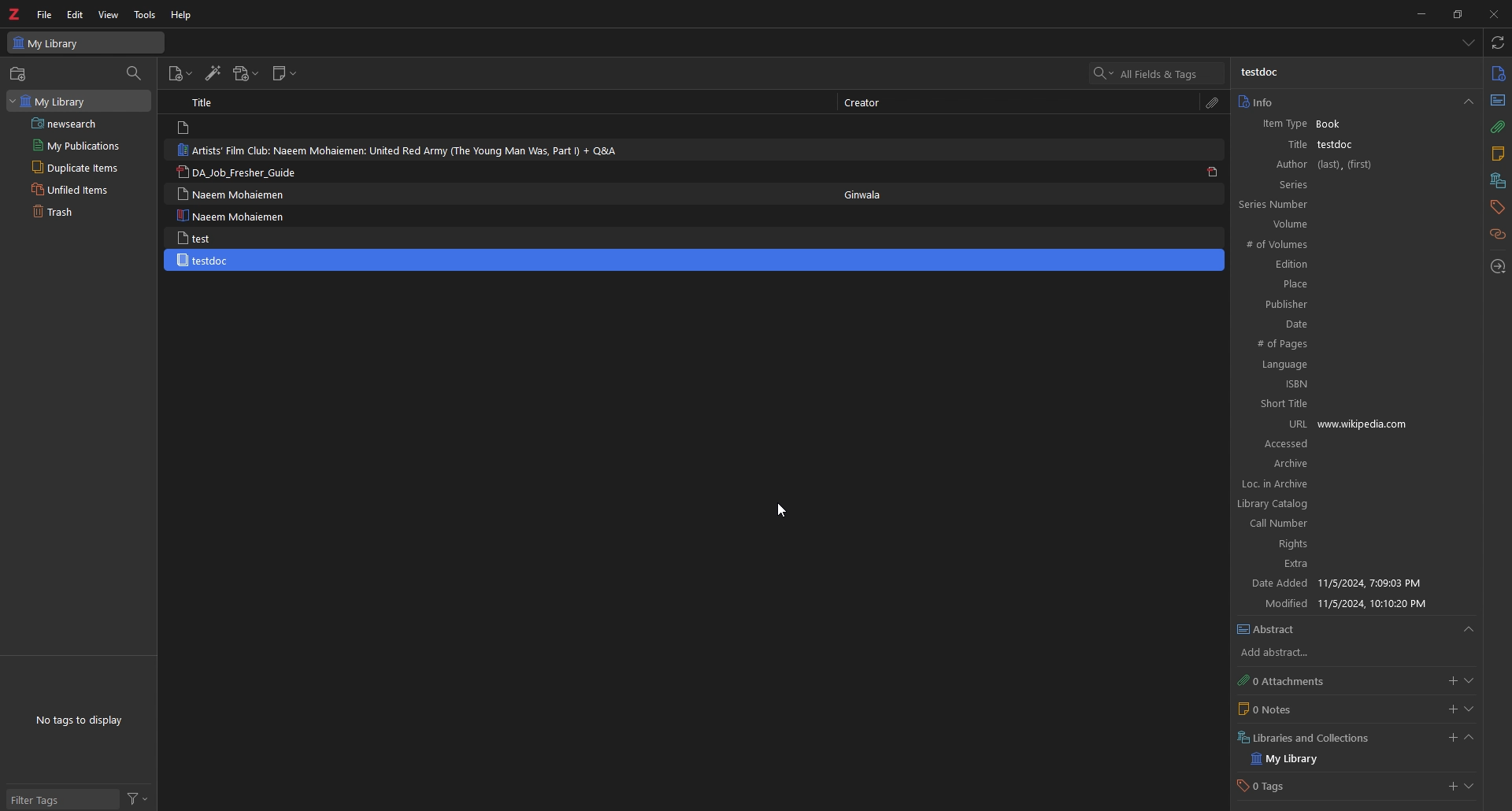  What do you see at coordinates (1470, 738) in the screenshot?
I see `collapse` at bounding box center [1470, 738].